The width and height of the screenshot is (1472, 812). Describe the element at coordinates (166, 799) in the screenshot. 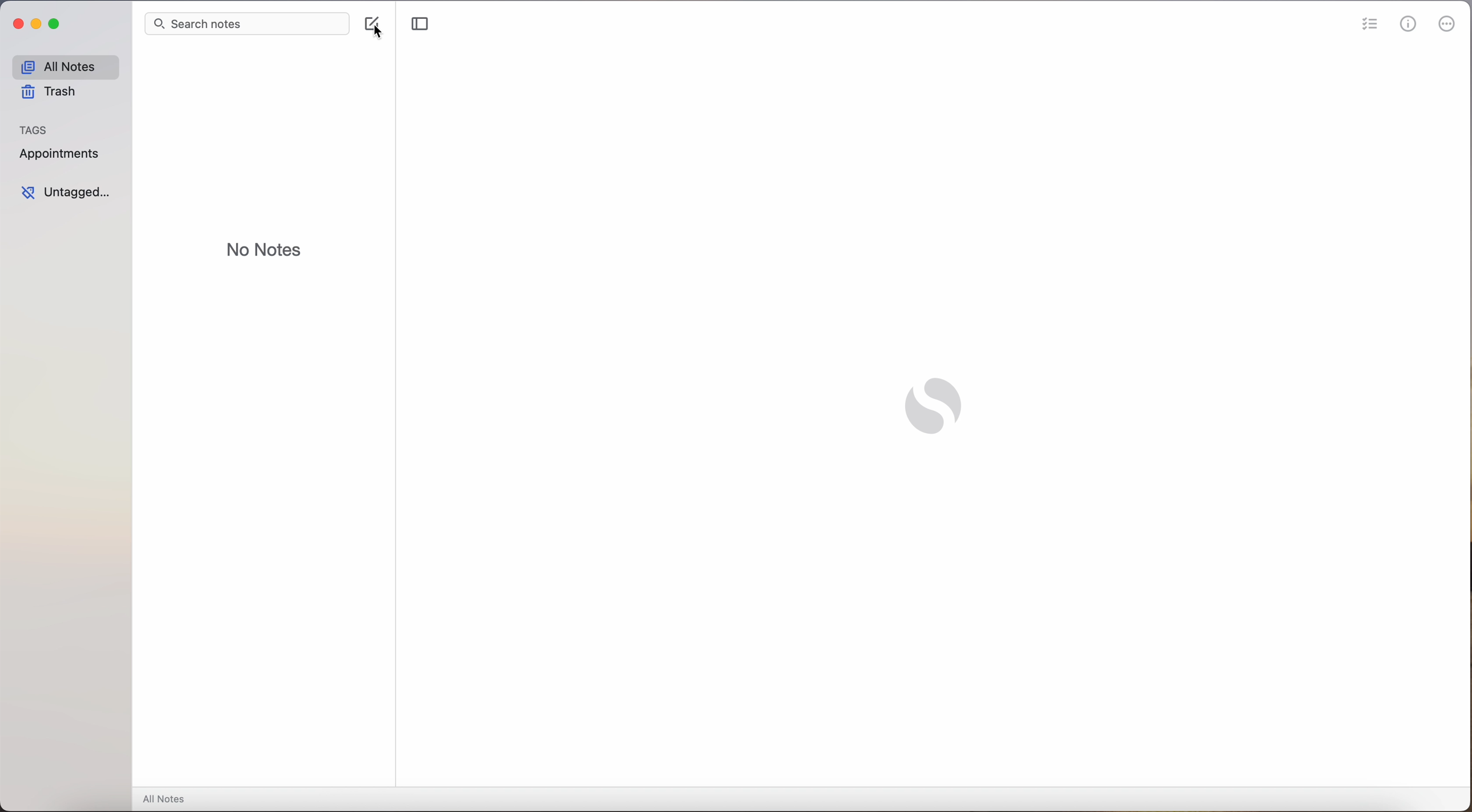

I see `all notes` at that location.